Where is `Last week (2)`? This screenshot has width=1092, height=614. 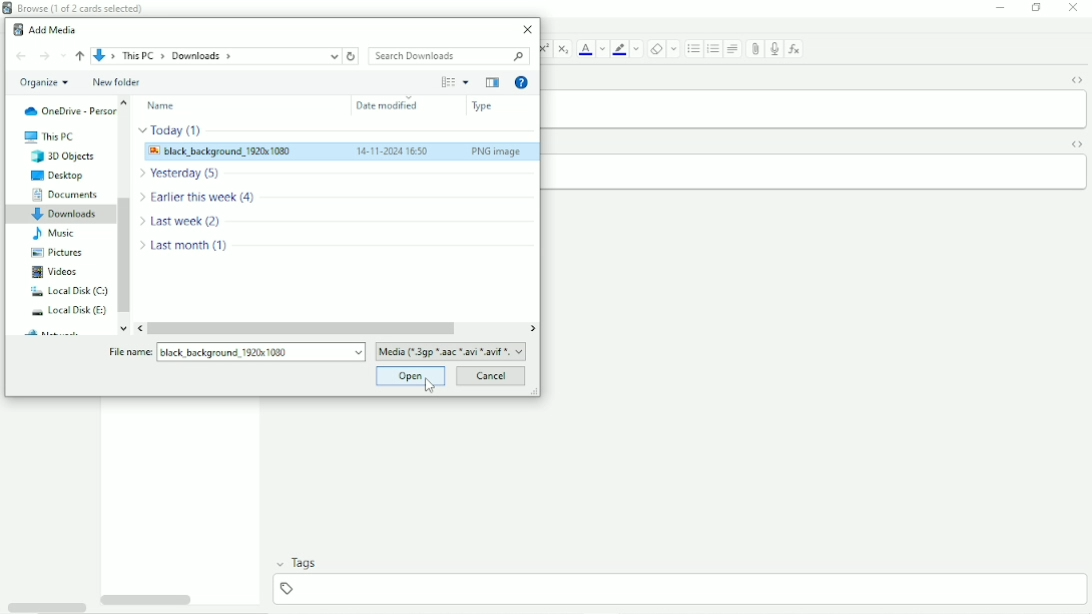
Last week (2) is located at coordinates (181, 221).